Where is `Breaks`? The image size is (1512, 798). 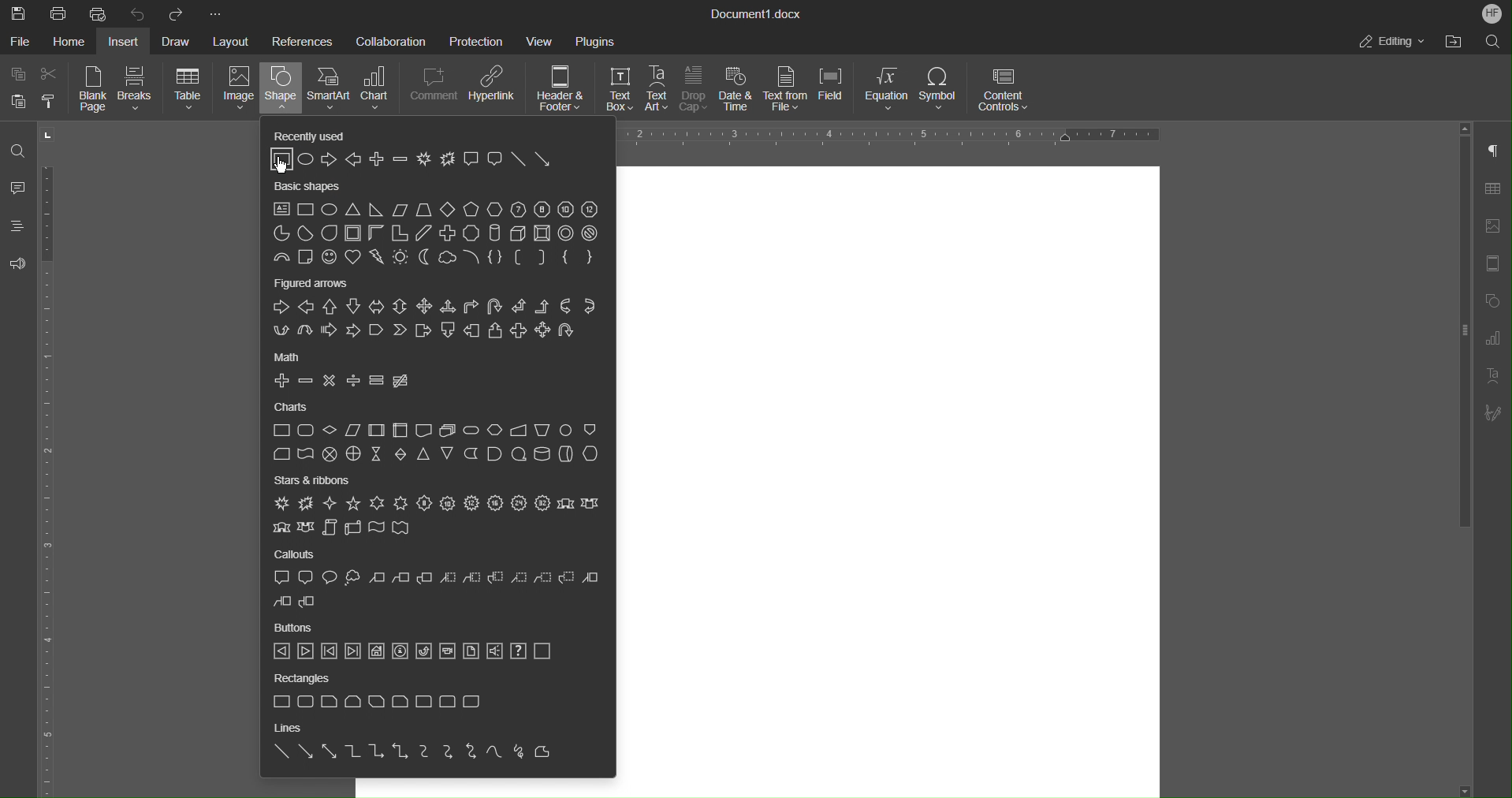 Breaks is located at coordinates (137, 91).